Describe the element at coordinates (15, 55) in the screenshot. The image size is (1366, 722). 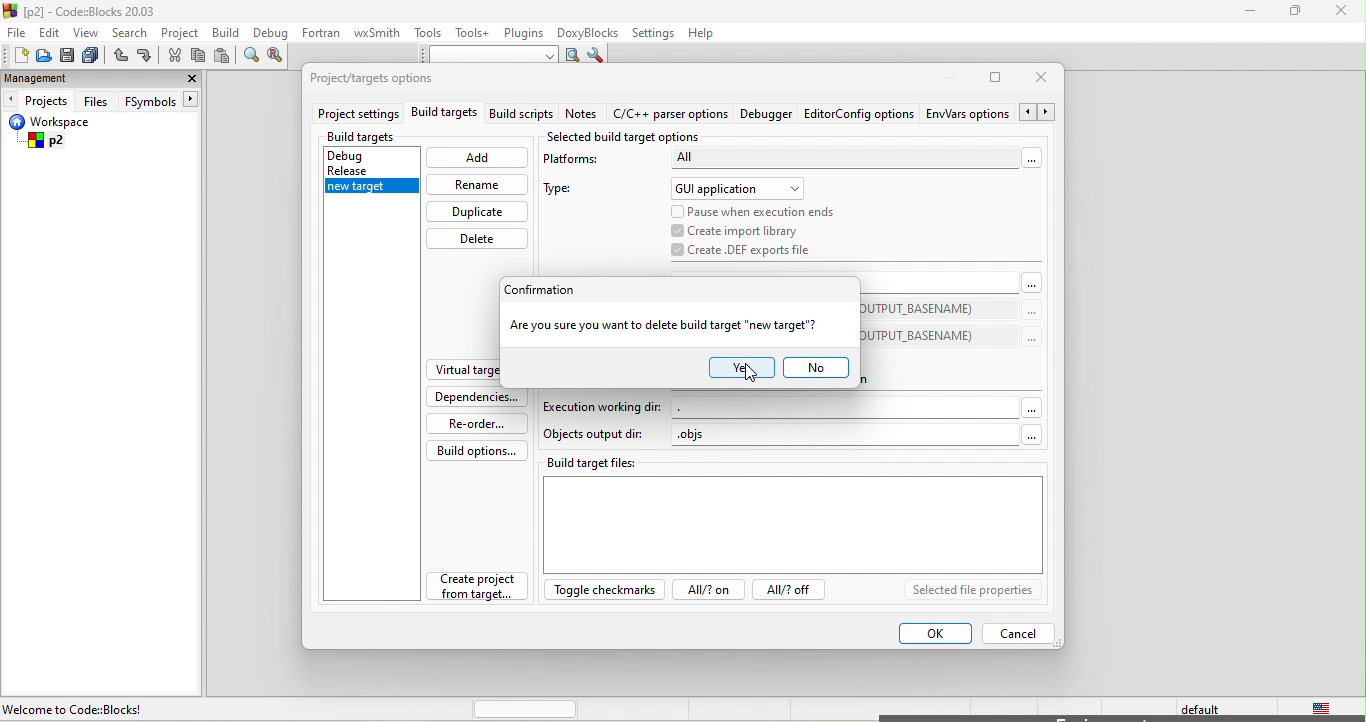
I see `new` at that location.